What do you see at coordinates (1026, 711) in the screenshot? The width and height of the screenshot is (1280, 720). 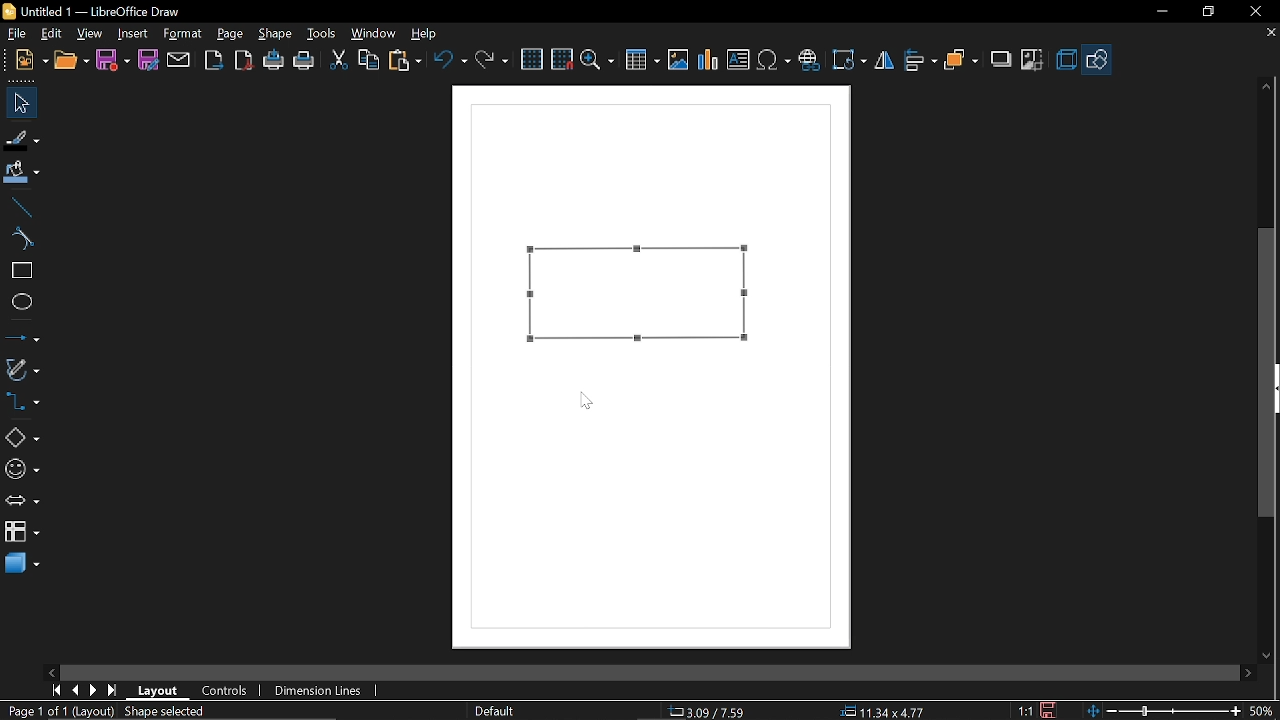 I see `Scaling factor (1:1)` at bounding box center [1026, 711].